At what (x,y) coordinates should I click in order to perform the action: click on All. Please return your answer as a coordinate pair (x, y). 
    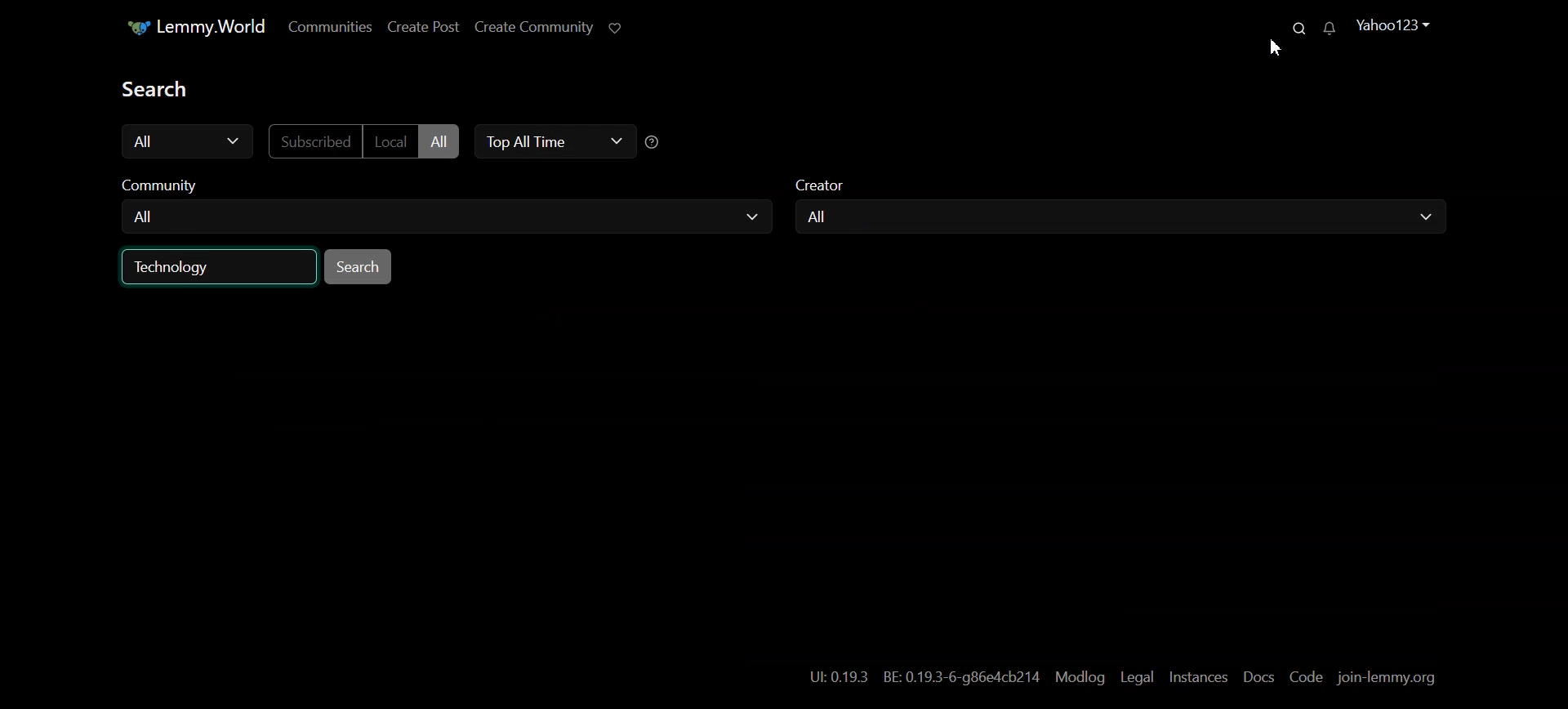
    Looking at the image, I should click on (439, 141).